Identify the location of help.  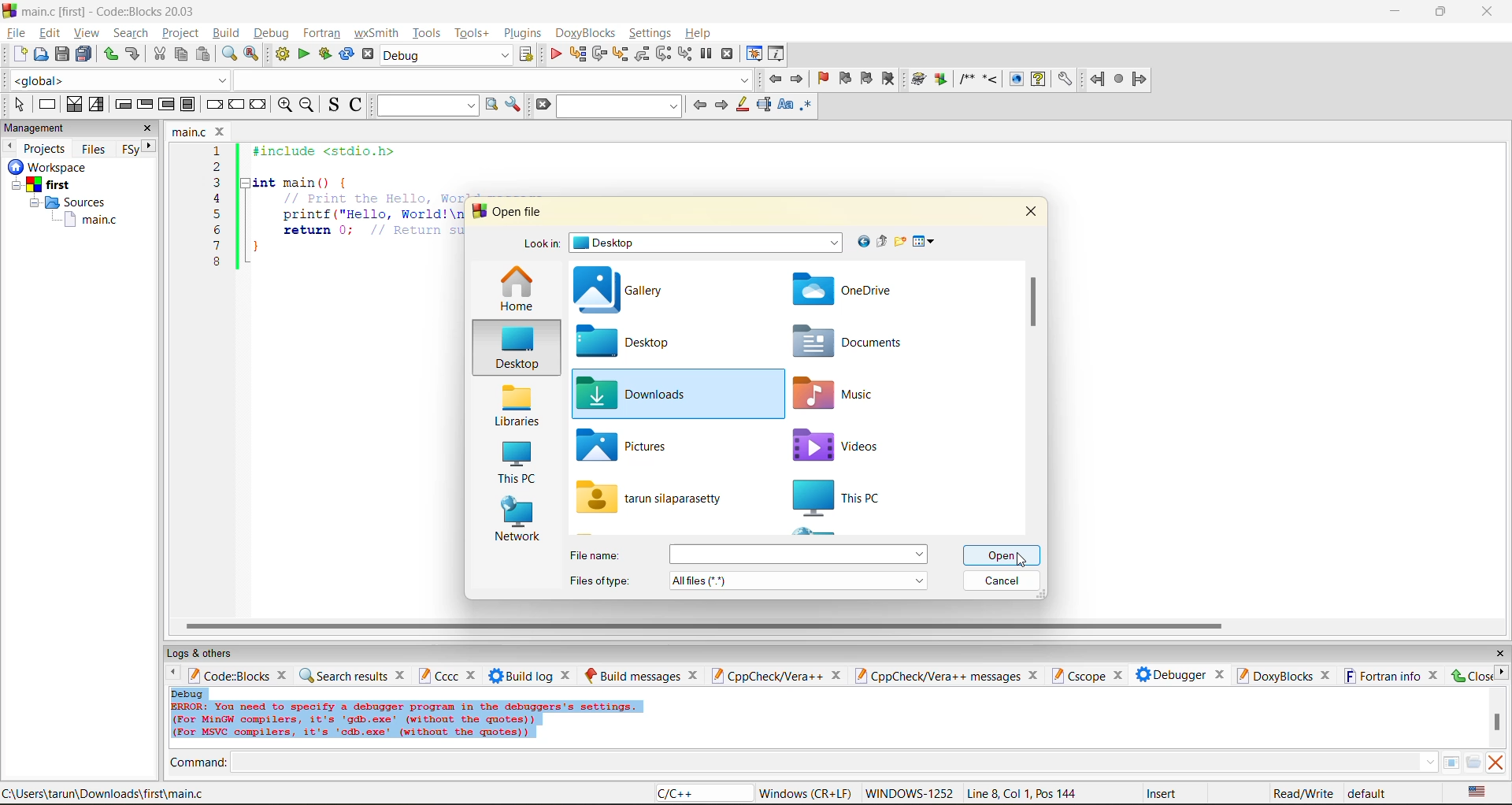
(700, 33).